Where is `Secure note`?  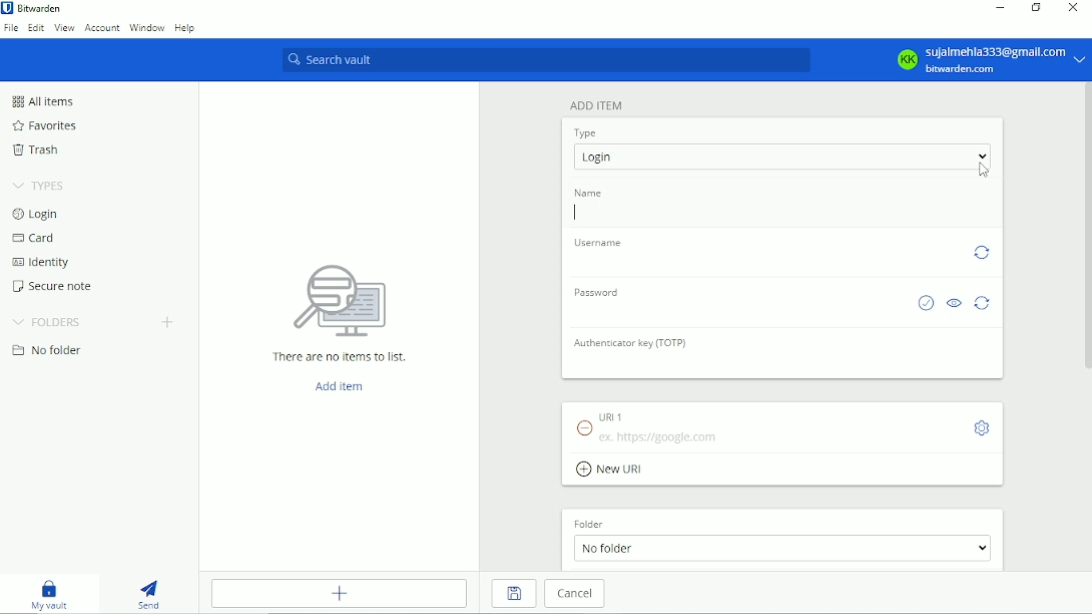 Secure note is located at coordinates (54, 286).